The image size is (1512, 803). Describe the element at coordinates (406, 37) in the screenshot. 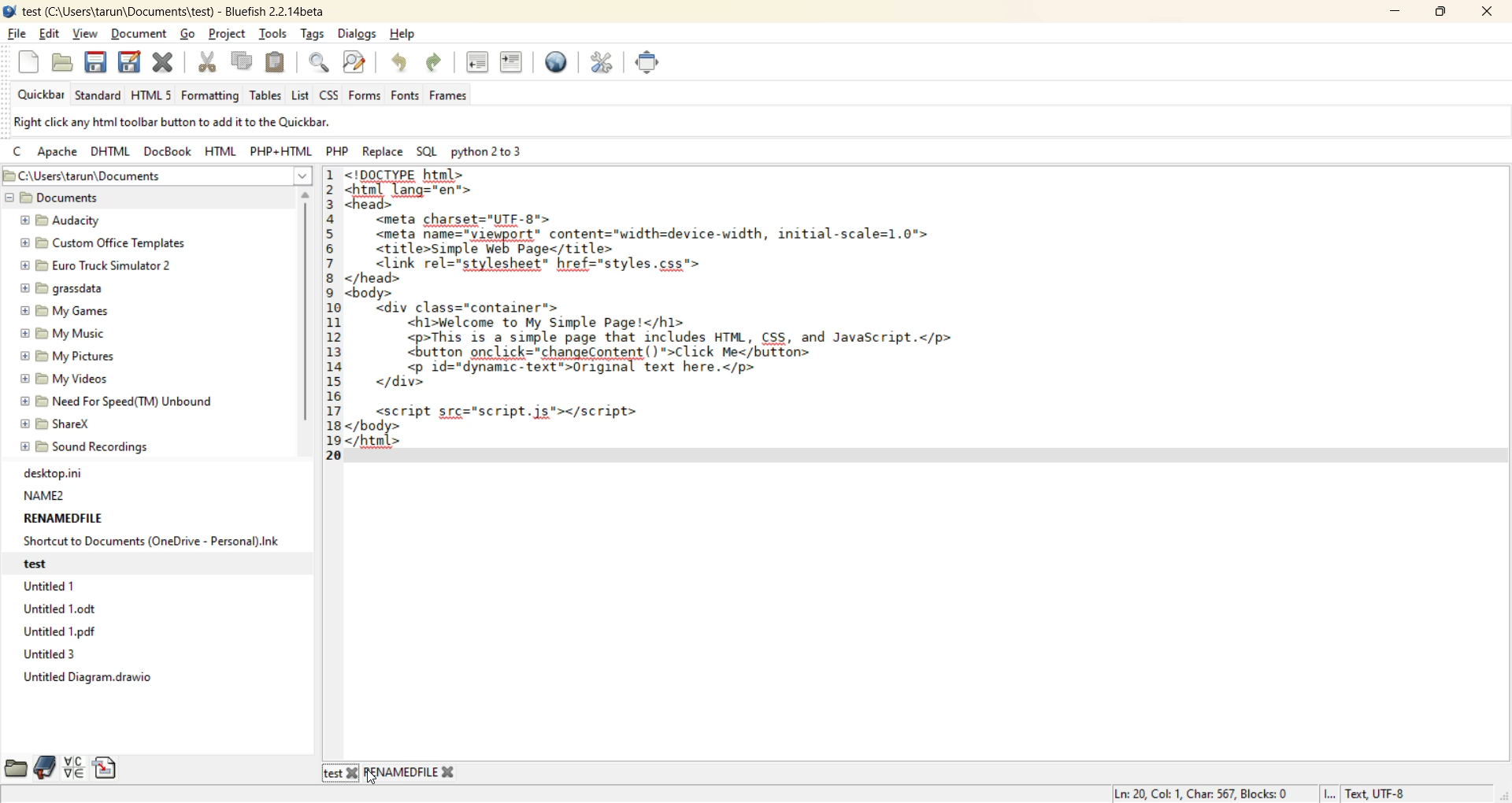

I see `help` at that location.